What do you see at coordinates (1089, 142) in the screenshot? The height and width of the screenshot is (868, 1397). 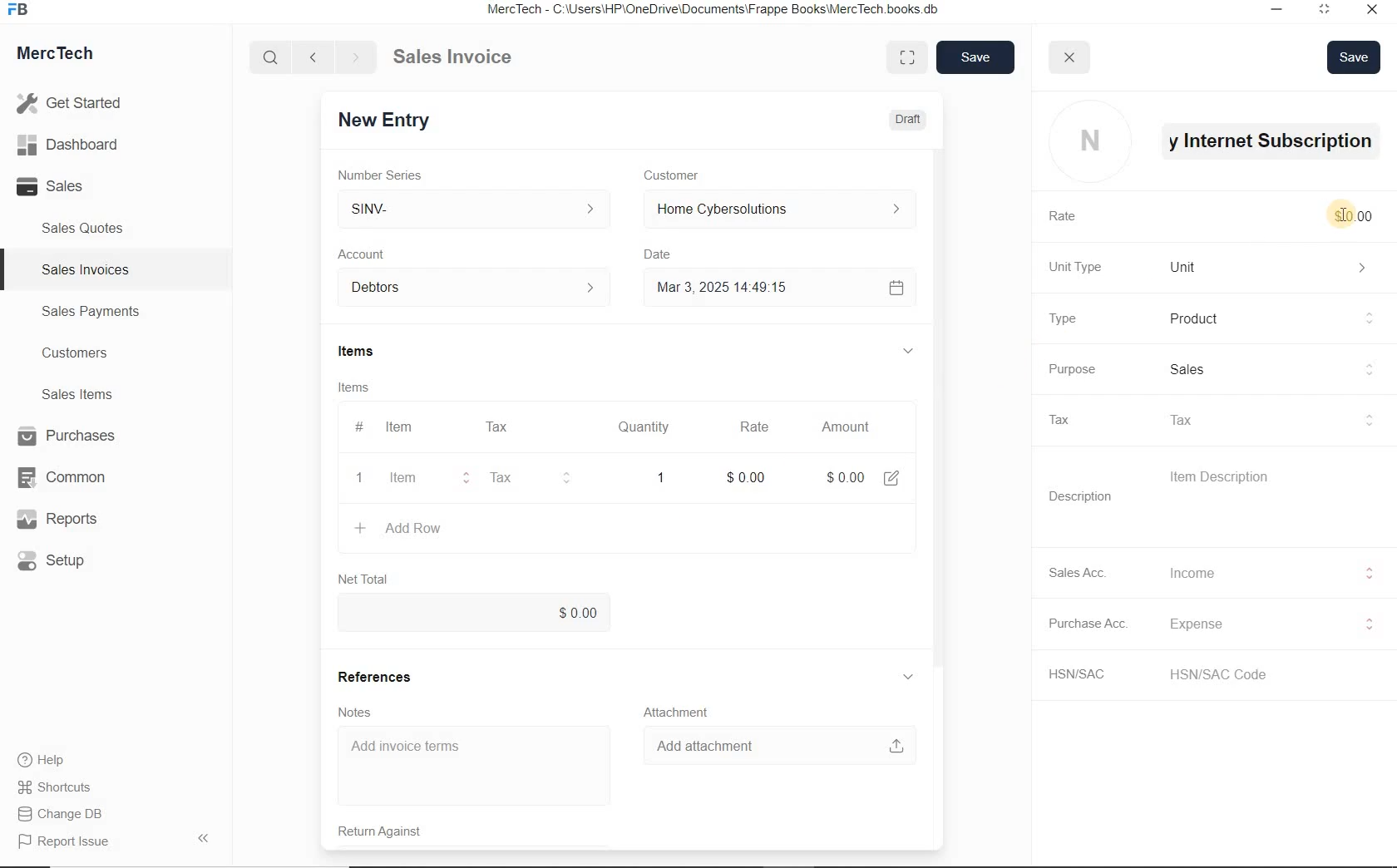 I see `profile logo` at bounding box center [1089, 142].